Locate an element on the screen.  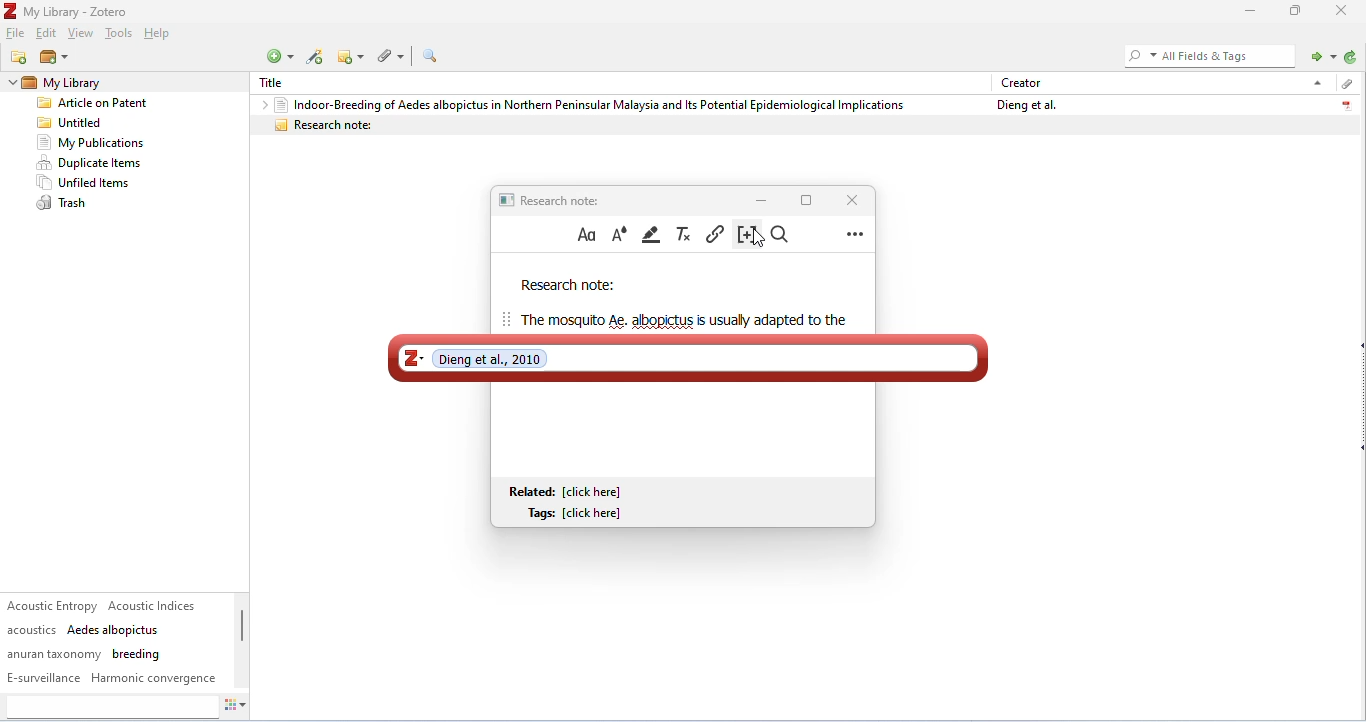
minimize is located at coordinates (762, 199).